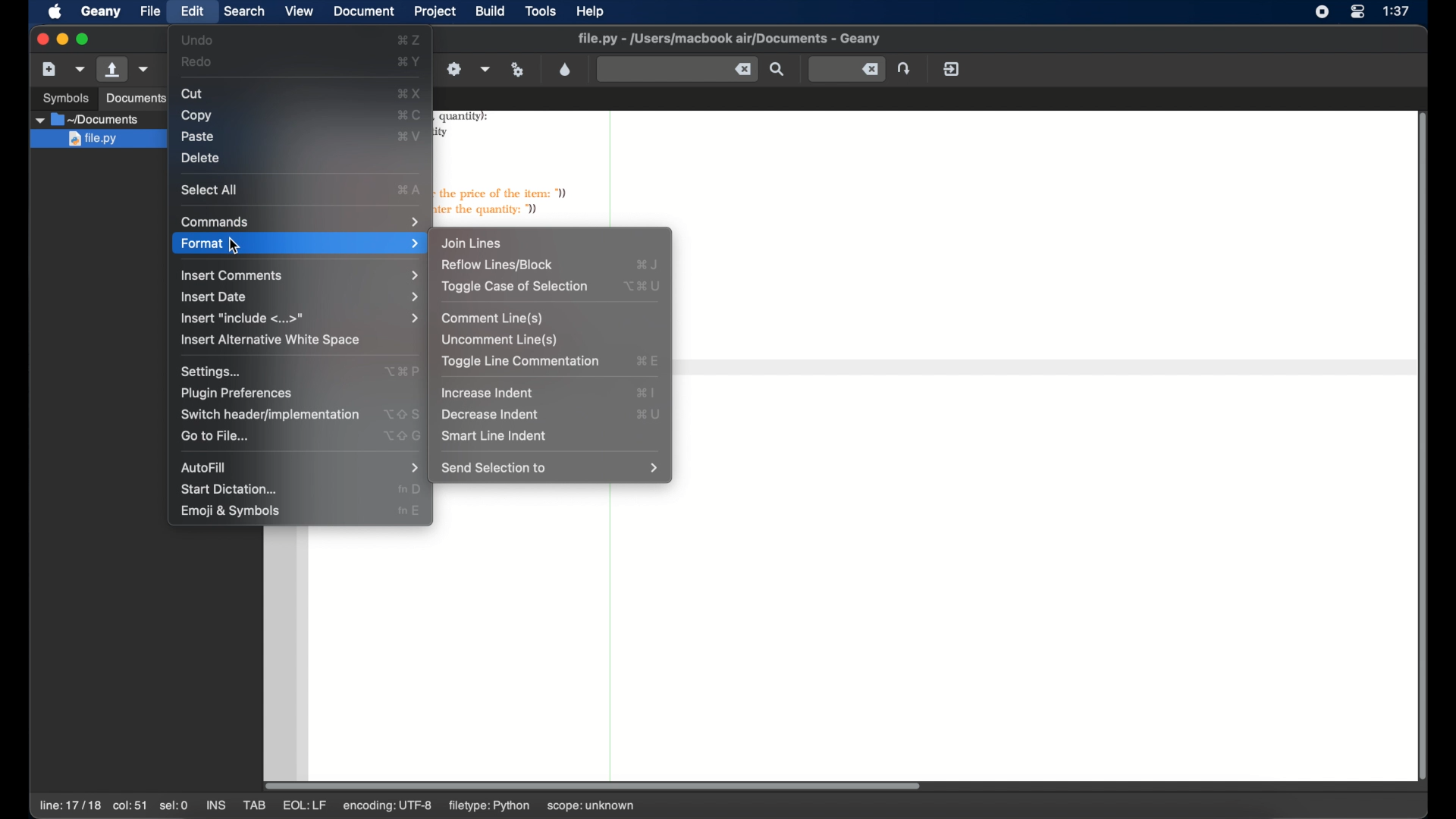 This screenshot has height=819, width=1456. I want to click on documents, so click(135, 98).